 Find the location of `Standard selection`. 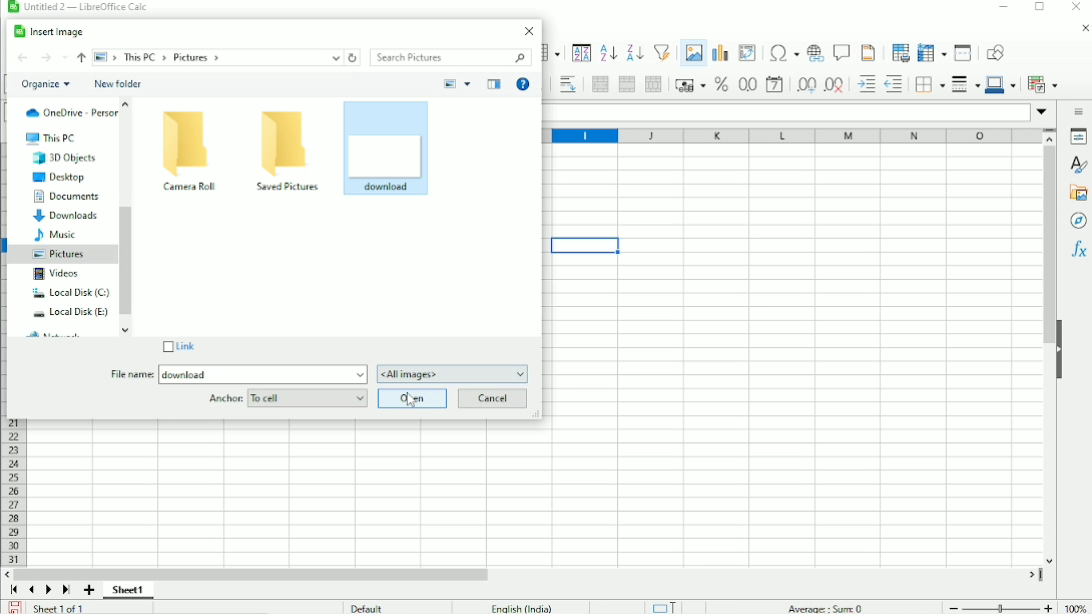

Standard selection is located at coordinates (667, 606).